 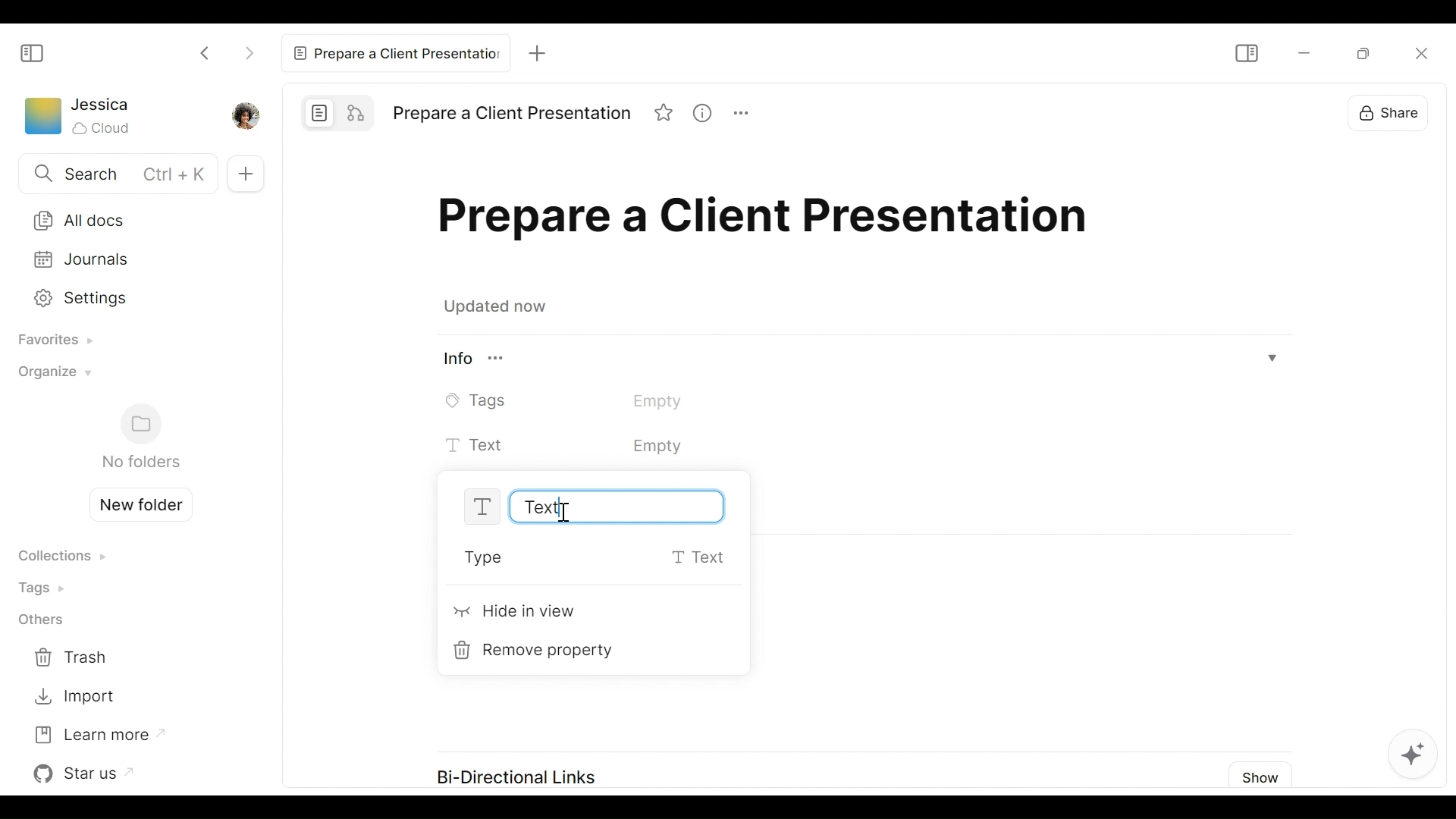 I want to click on New Tab, so click(x=541, y=55).